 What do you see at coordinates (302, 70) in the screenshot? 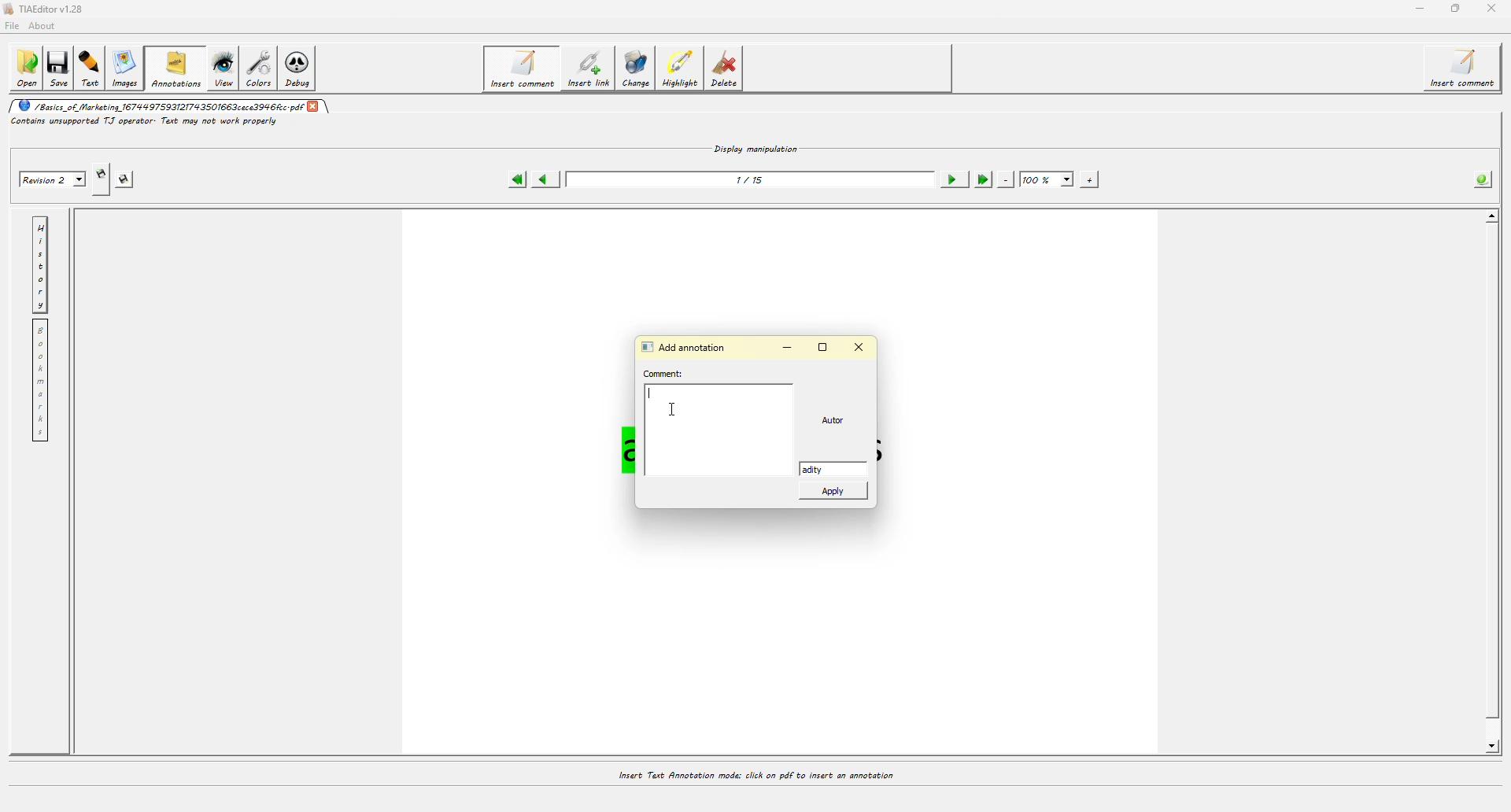
I see `debug` at bounding box center [302, 70].